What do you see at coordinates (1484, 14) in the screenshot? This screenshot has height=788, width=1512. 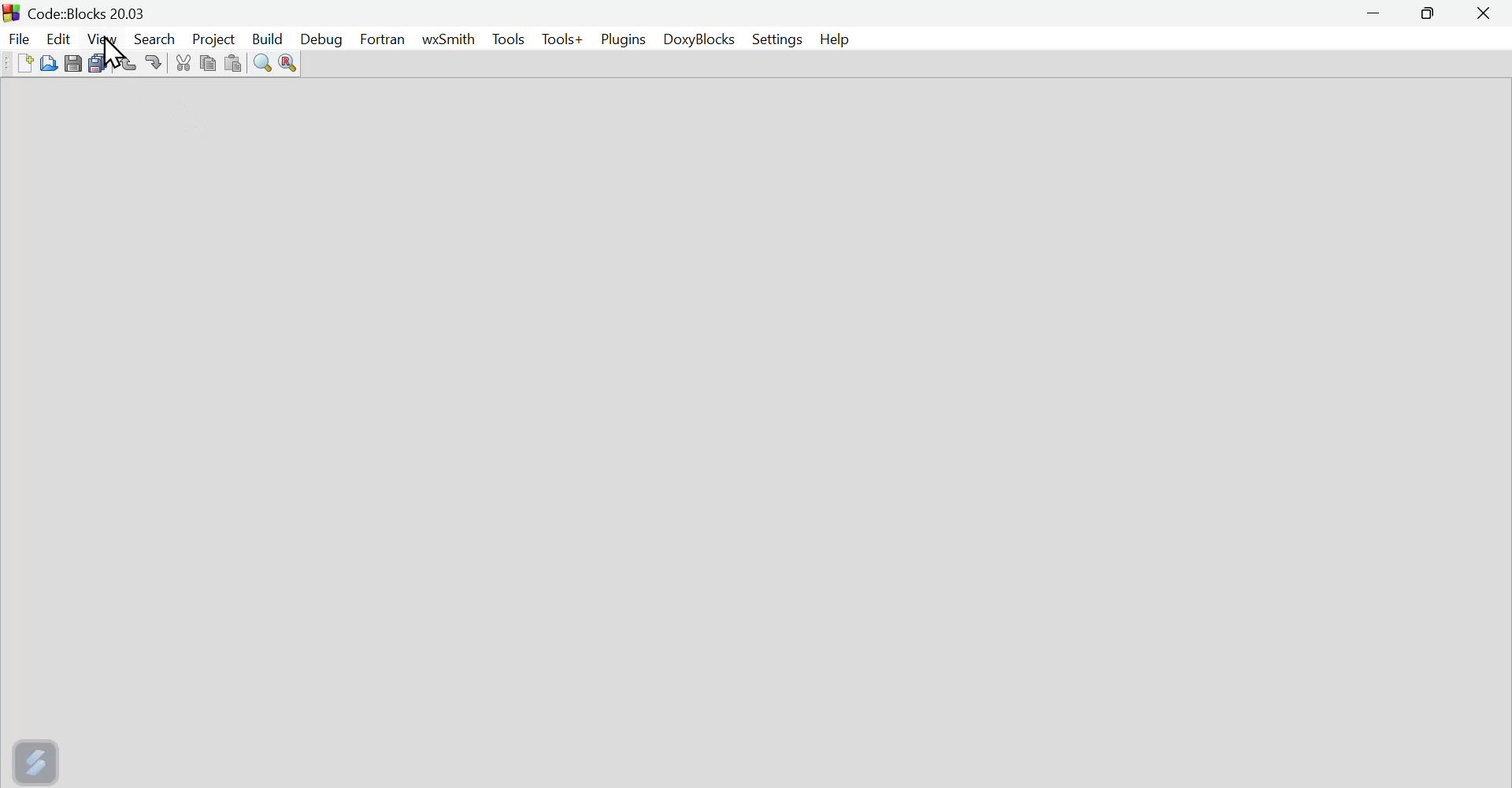 I see `Close` at bounding box center [1484, 14].